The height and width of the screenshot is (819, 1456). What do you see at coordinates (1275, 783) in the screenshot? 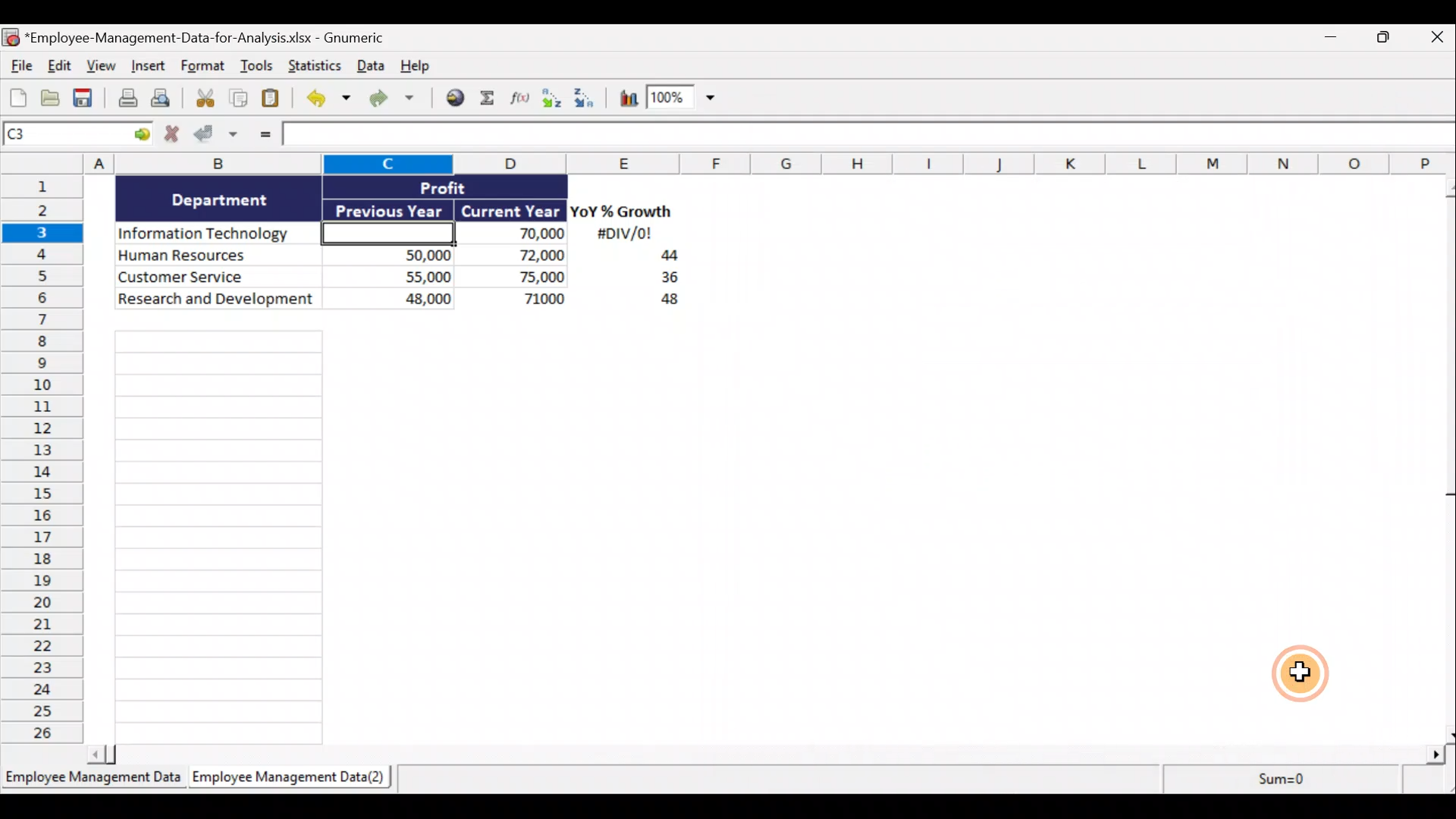
I see `Sum=0` at bounding box center [1275, 783].